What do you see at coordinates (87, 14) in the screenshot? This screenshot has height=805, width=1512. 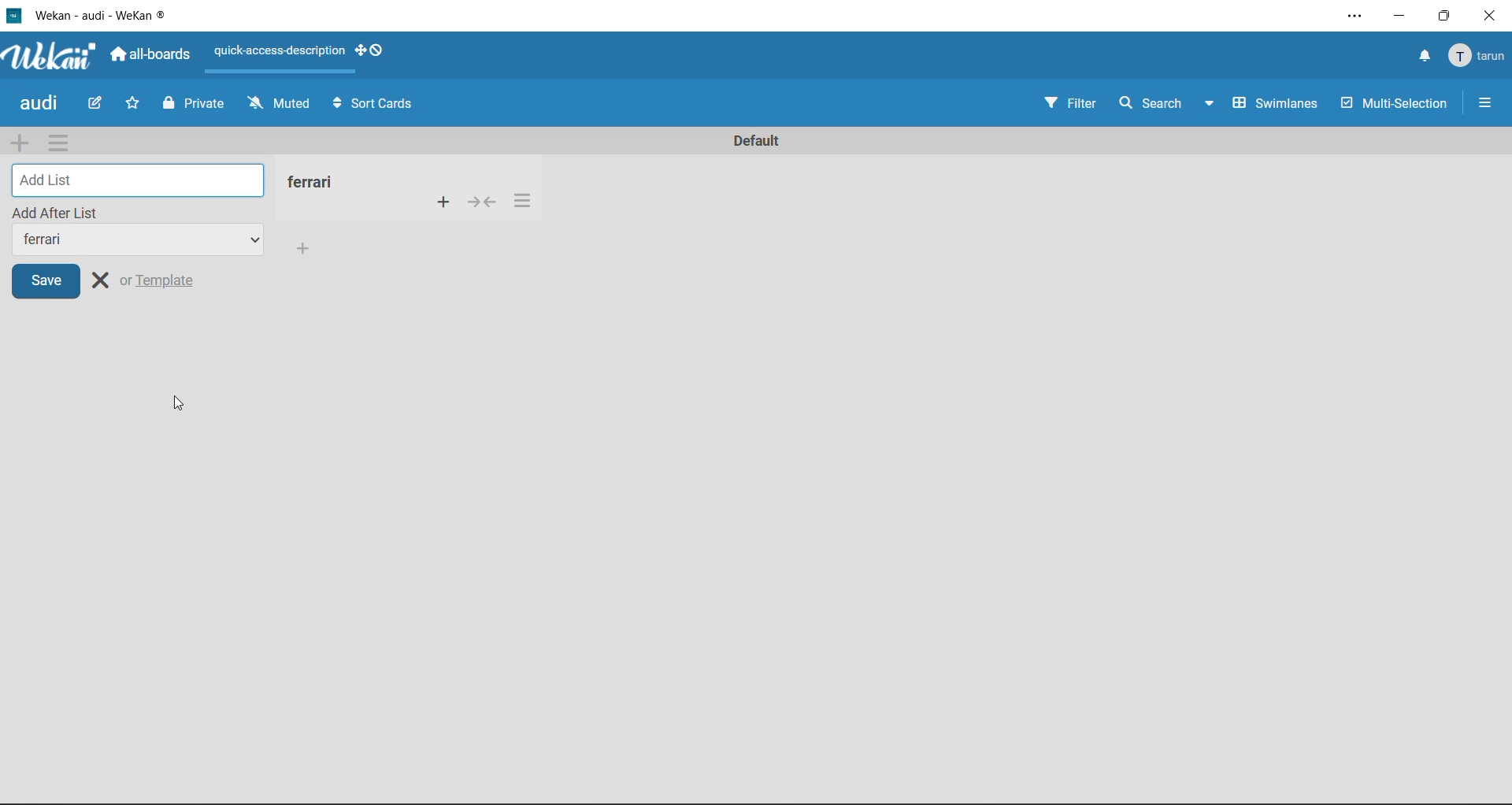 I see `Wekan - audi - WeKan` at bounding box center [87, 14].